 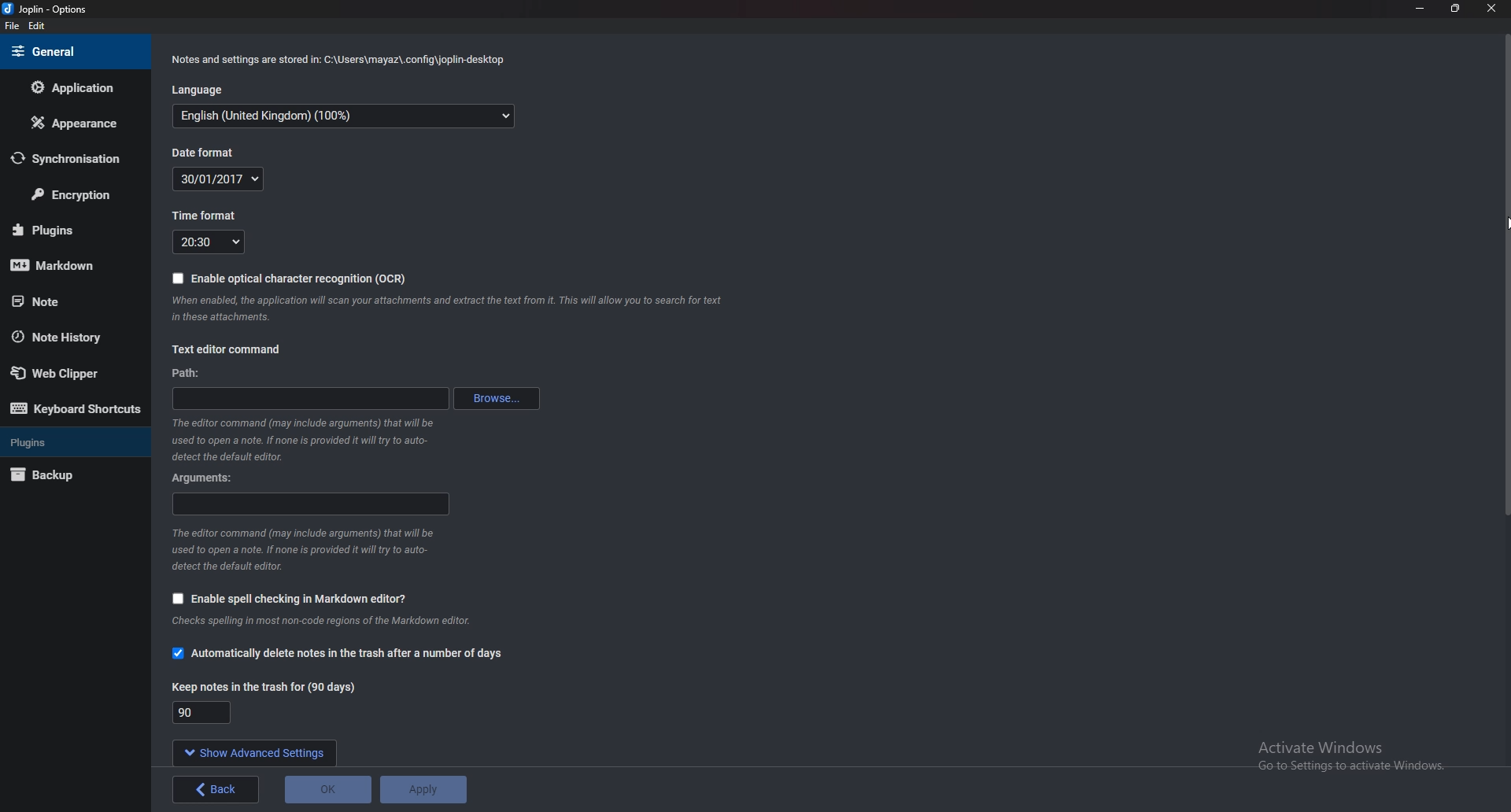 I want to click on Time format, so click(x=210, y=242).